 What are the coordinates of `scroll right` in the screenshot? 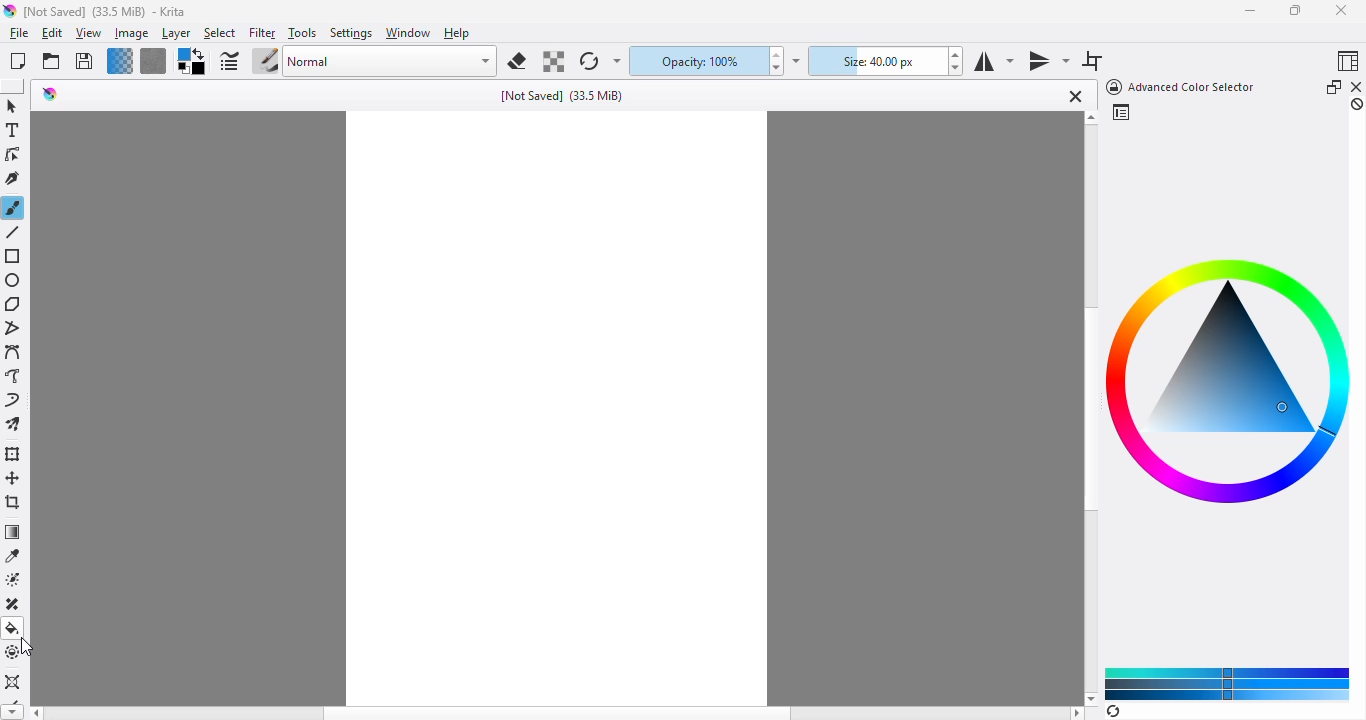 It's located at (1077, 713).